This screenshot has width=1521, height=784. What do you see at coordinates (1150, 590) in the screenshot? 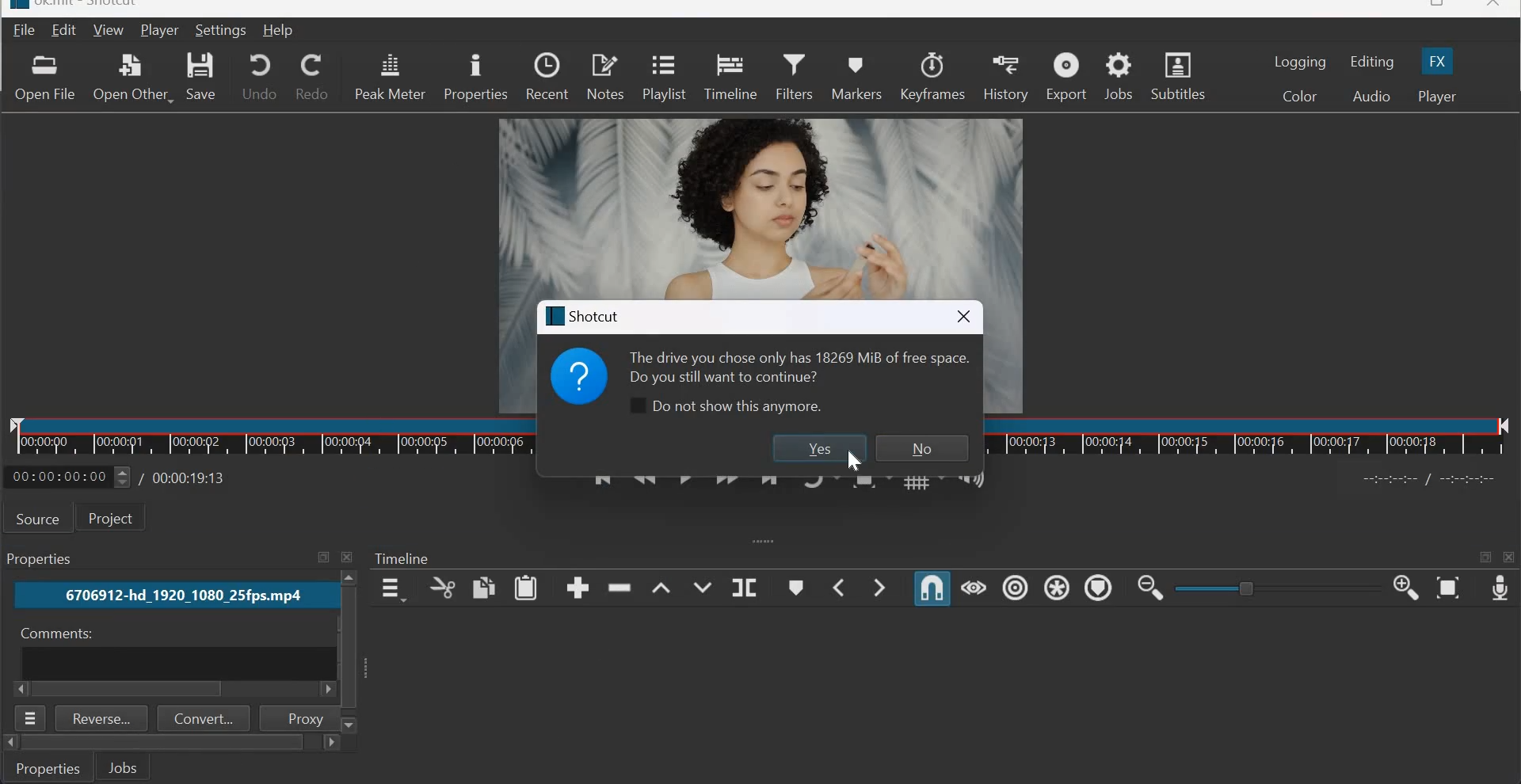
I see `Zoom Timeline out` at bounding box center [1150, 590].